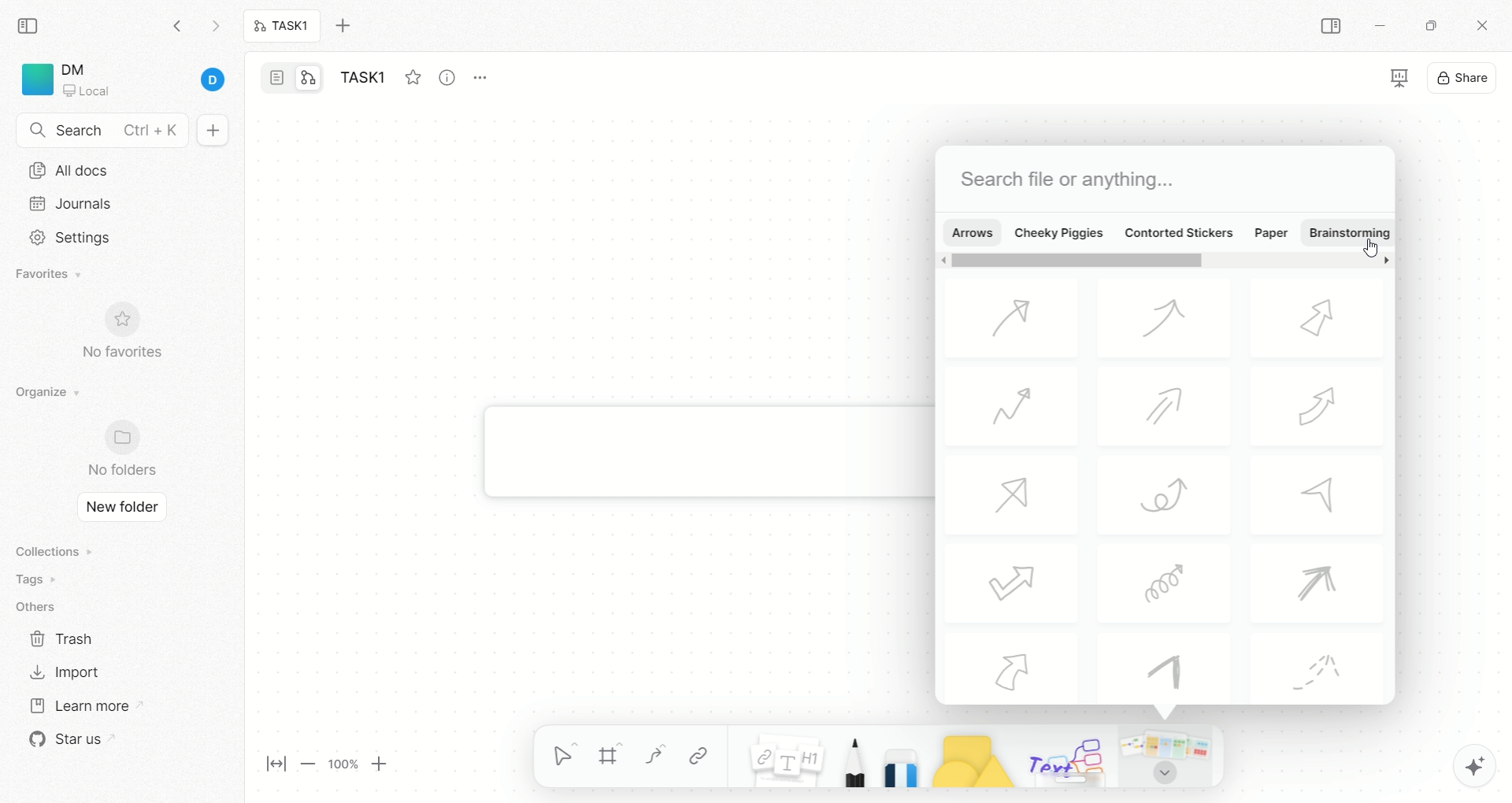 This screenshot has width=1512, height=803. I want to click on COLLAPSE SIDEBAR, so click(1332, 27).